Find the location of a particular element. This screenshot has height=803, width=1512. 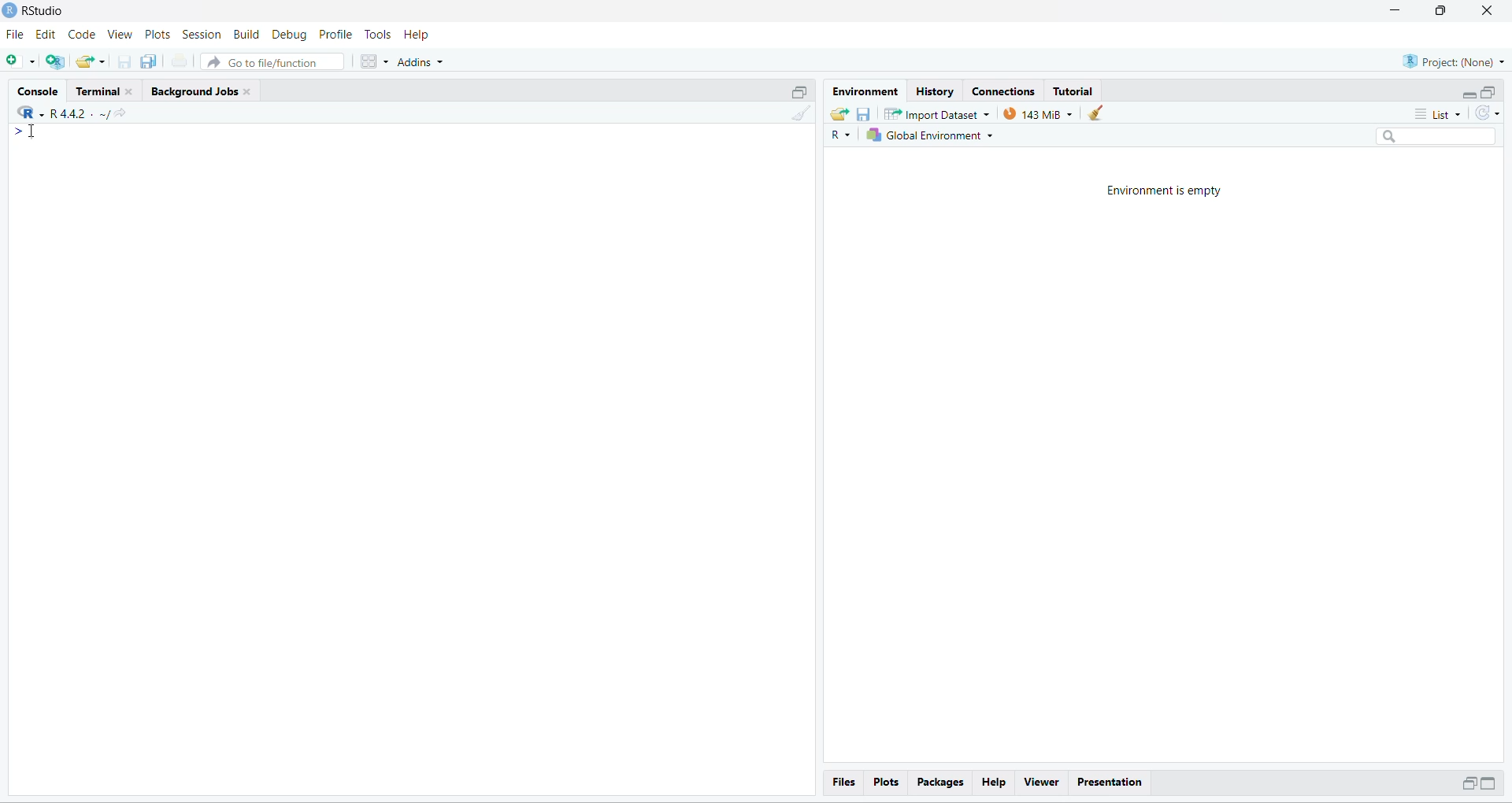

project (none) is located at coordinates (1453, 61).